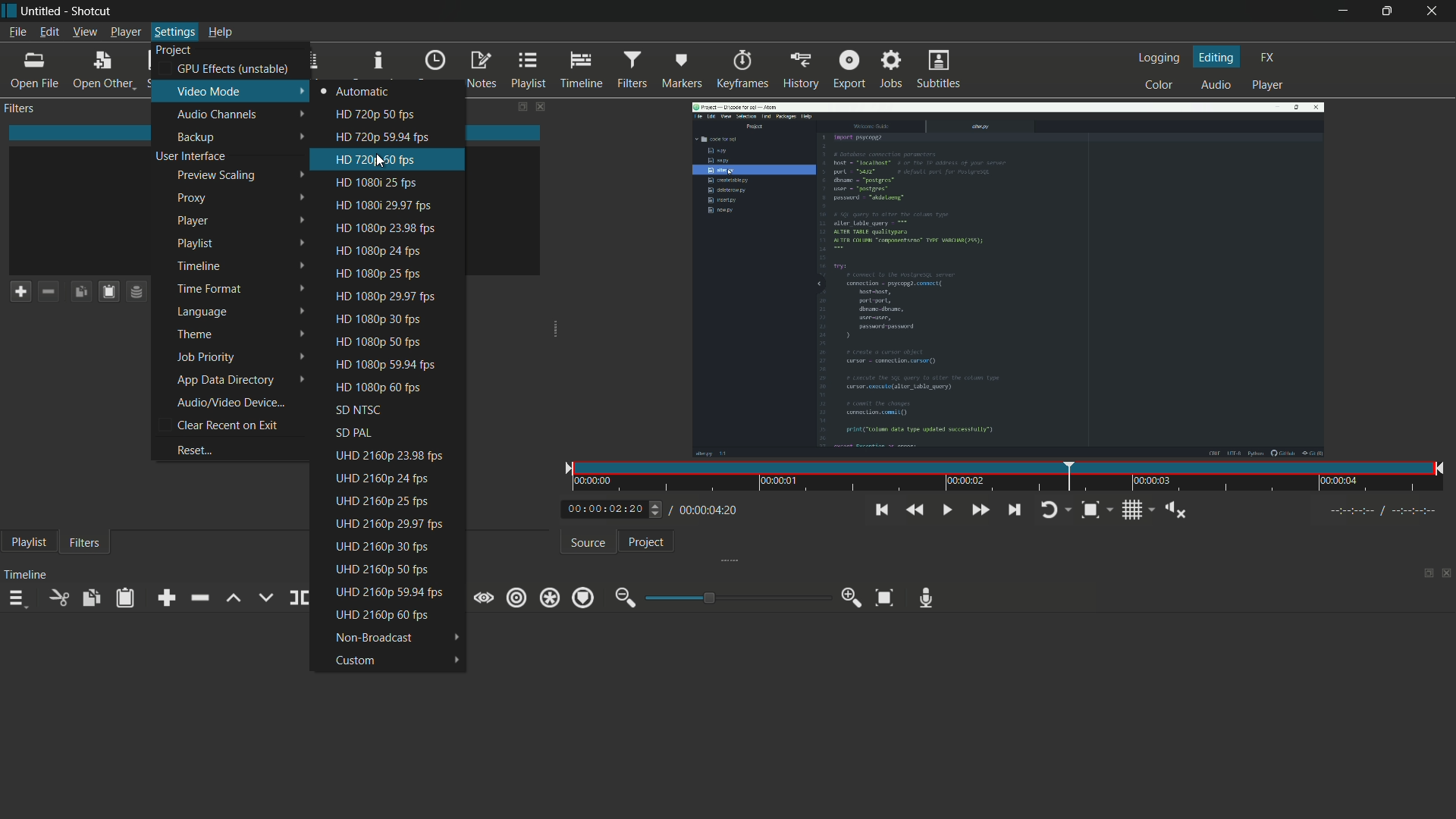 This screenshot has width=1456, height=819. What do you see at coordinates (393, 479) in the screenshot?
I see `uhd 2160p 24 fps` at bounding box center [393, 479].